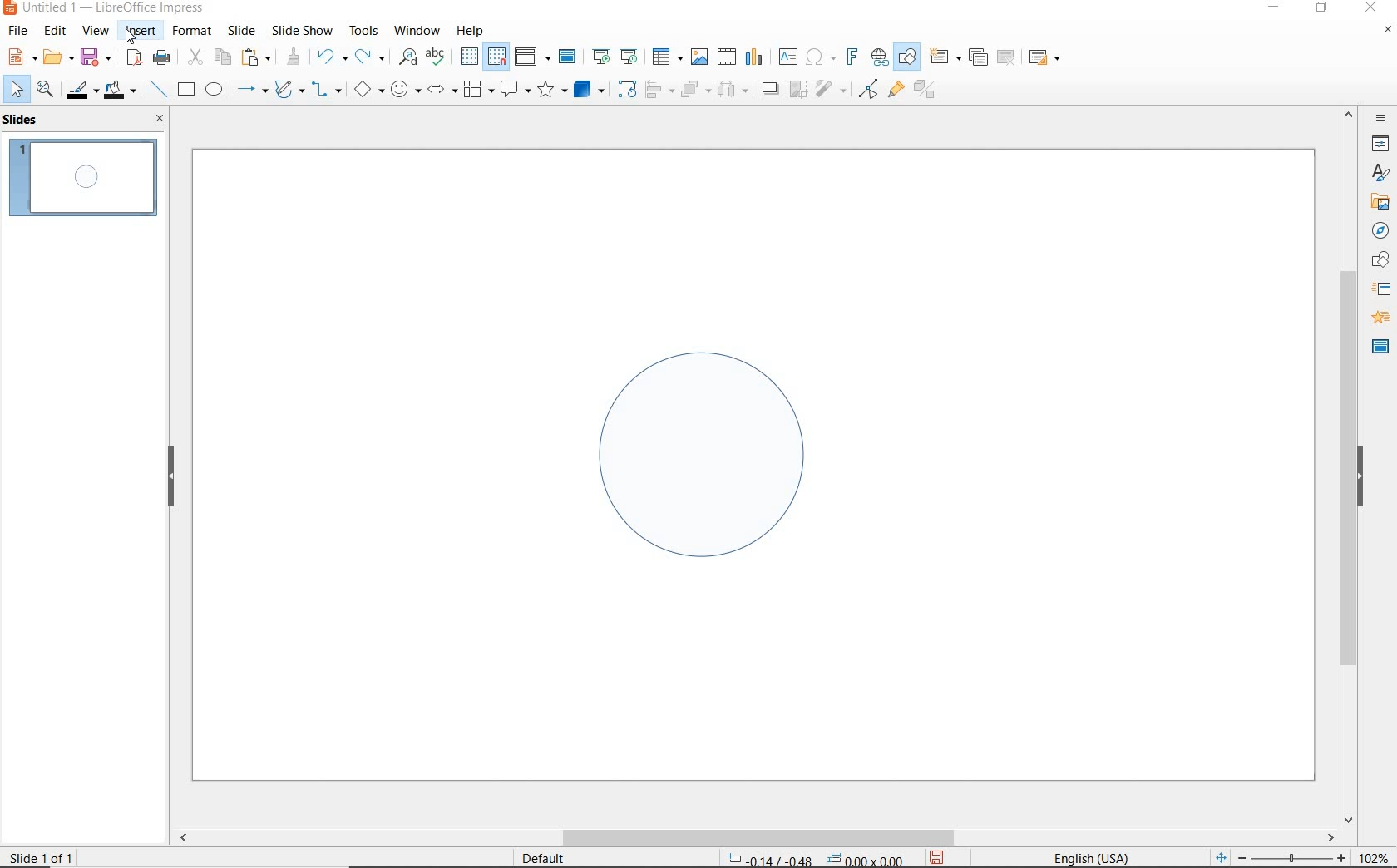  What do you see at coordinates (1387, 33) in the screenshot?
I see `close document` at bounding box center [1387, 33].